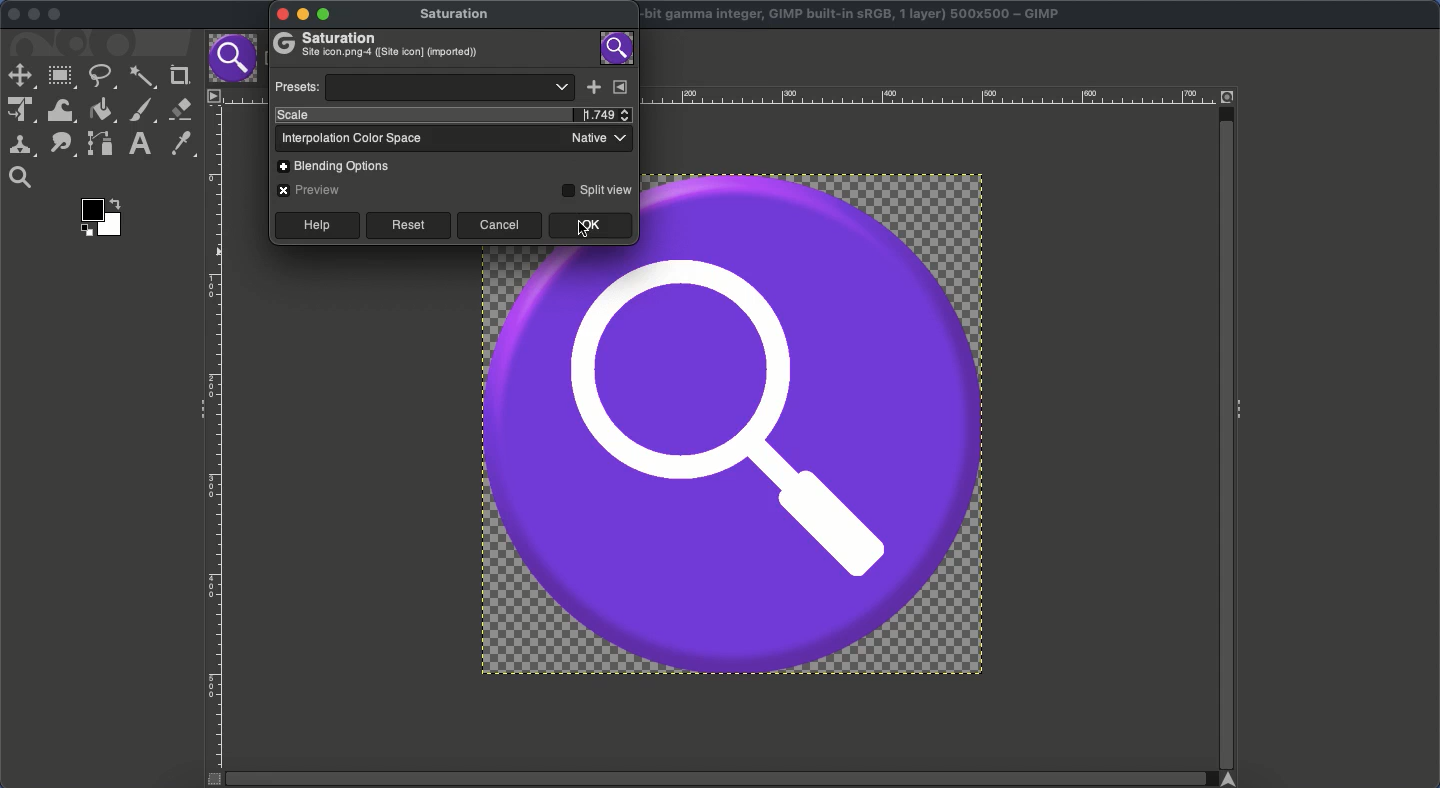  Describe the element at coordinates (21, 147) in the screenshot. I see `Clone tool` at that location.